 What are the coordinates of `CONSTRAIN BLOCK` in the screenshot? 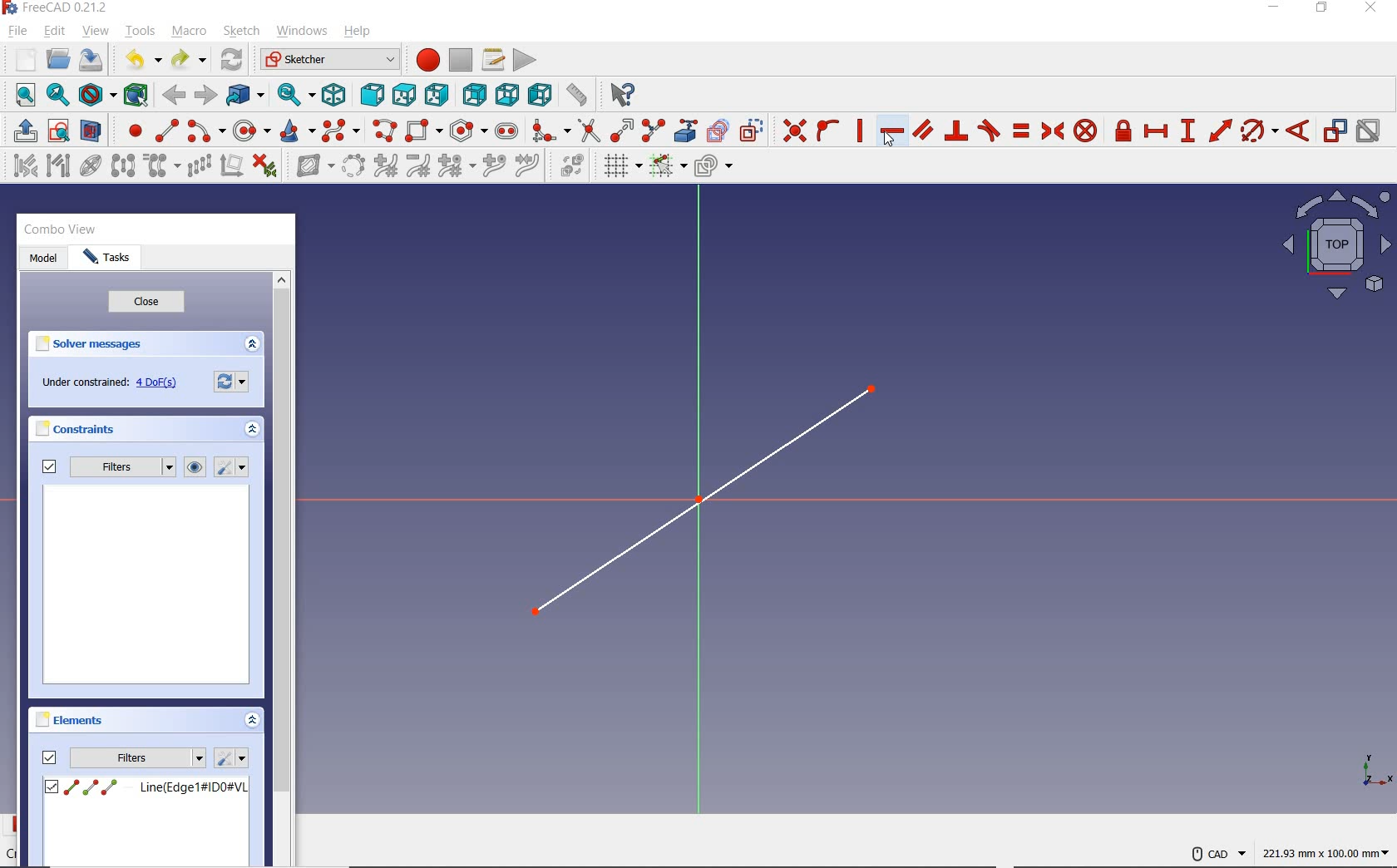 It's located at (1086, 131).